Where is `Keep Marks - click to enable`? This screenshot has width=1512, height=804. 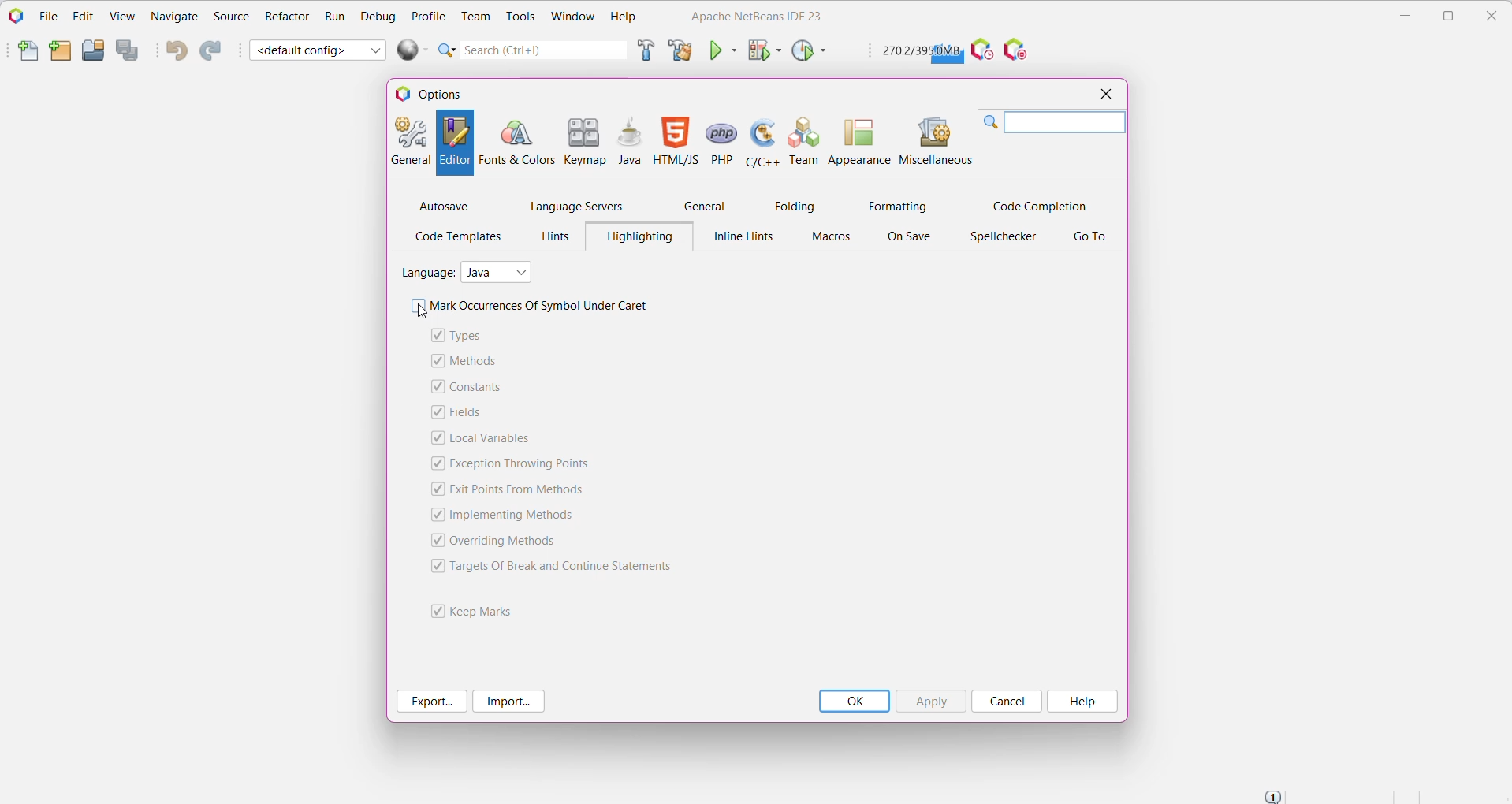
Keep Marks - click to enable is located at coordinates (490, 609).